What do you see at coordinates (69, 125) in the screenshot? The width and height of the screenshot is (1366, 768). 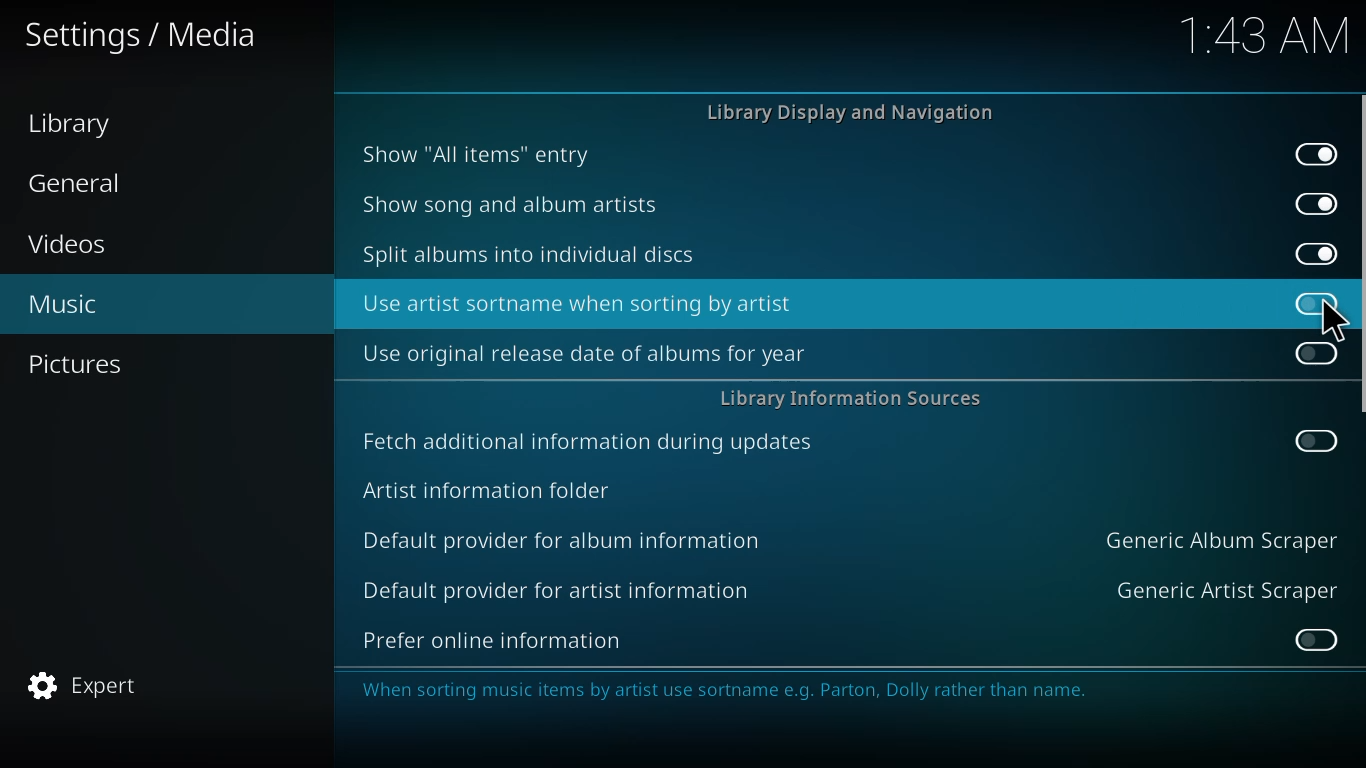 I see `library` at bounding box center [69, 125].